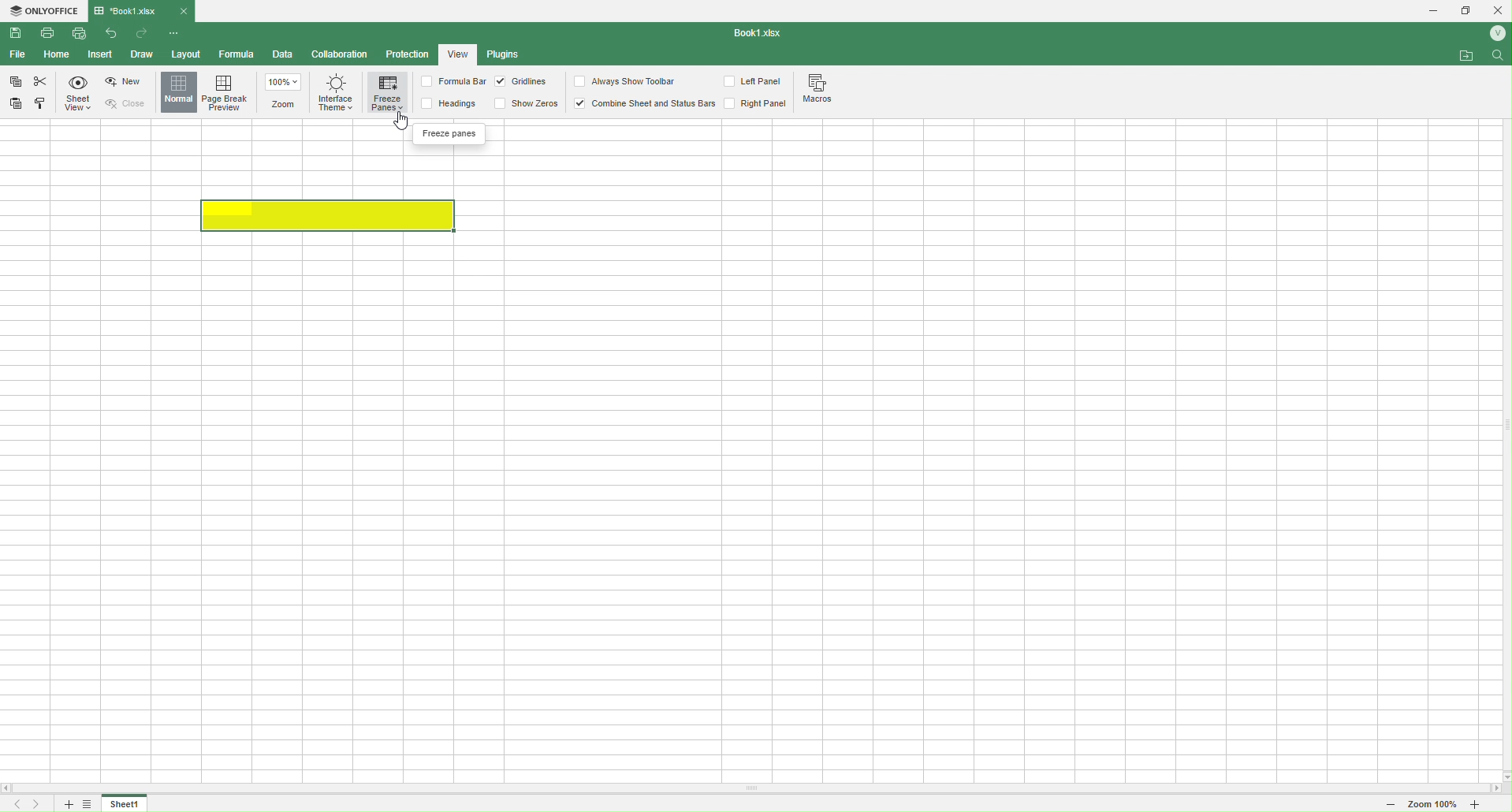 This screenshot has height=812, width=1512. What do you see at coordinates (1489, 806) in the screenshot?
I see `Zoom in` at bounding box center [1489, 806].